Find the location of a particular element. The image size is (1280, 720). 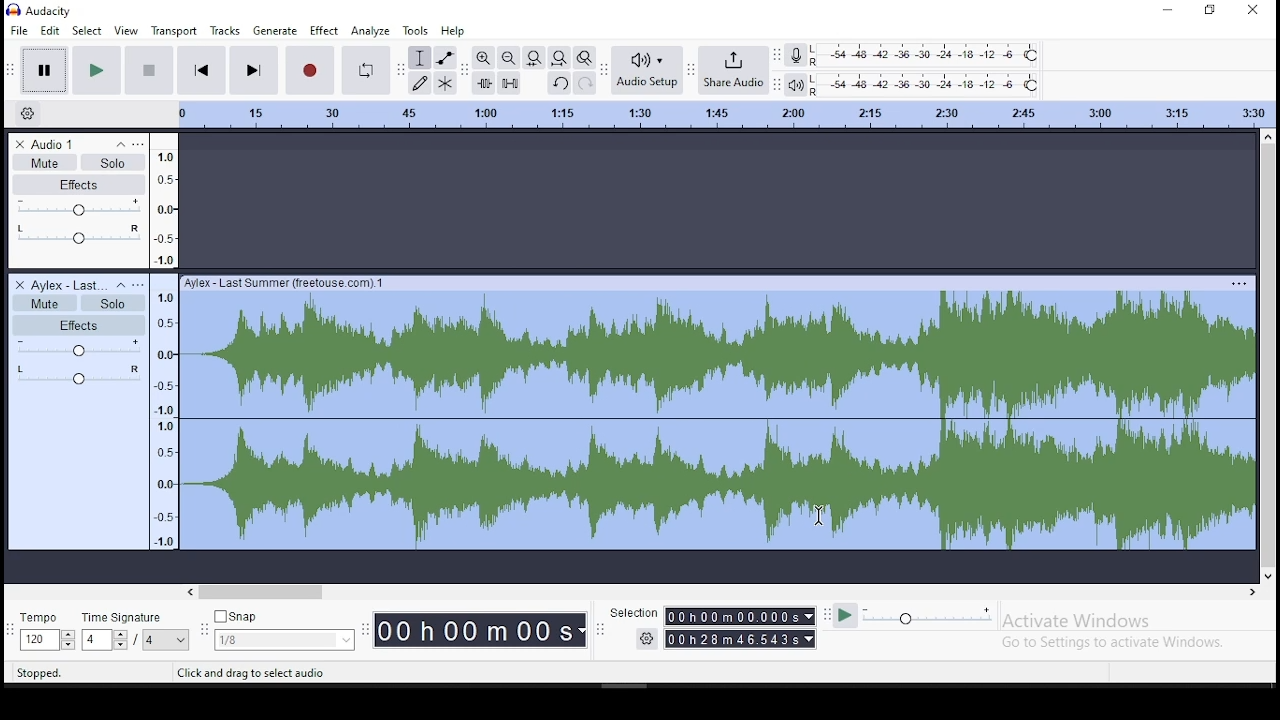

generate is located at coordinates (276, 30).